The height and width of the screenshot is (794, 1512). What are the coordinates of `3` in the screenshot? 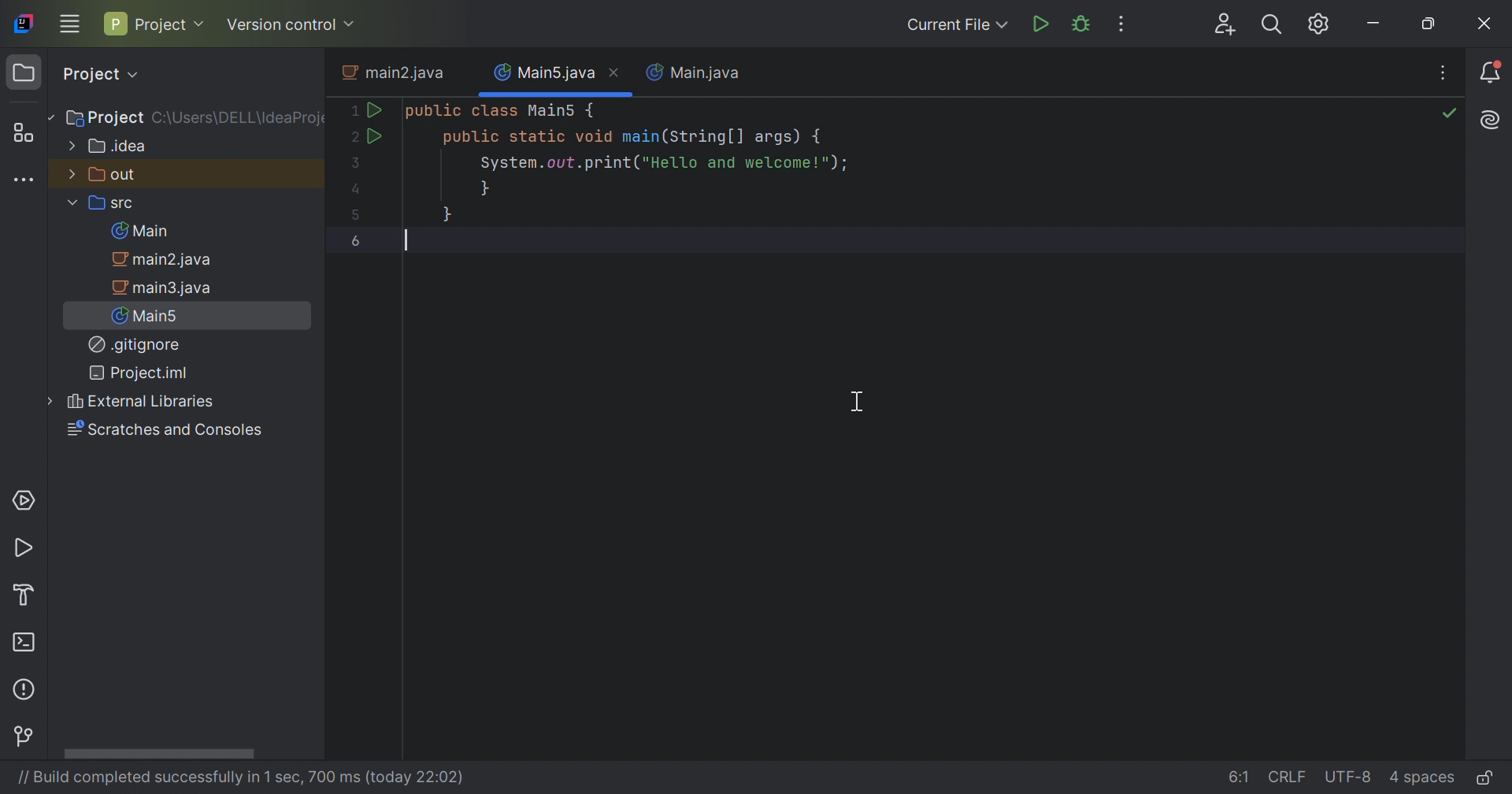 It's located at (352, 162).